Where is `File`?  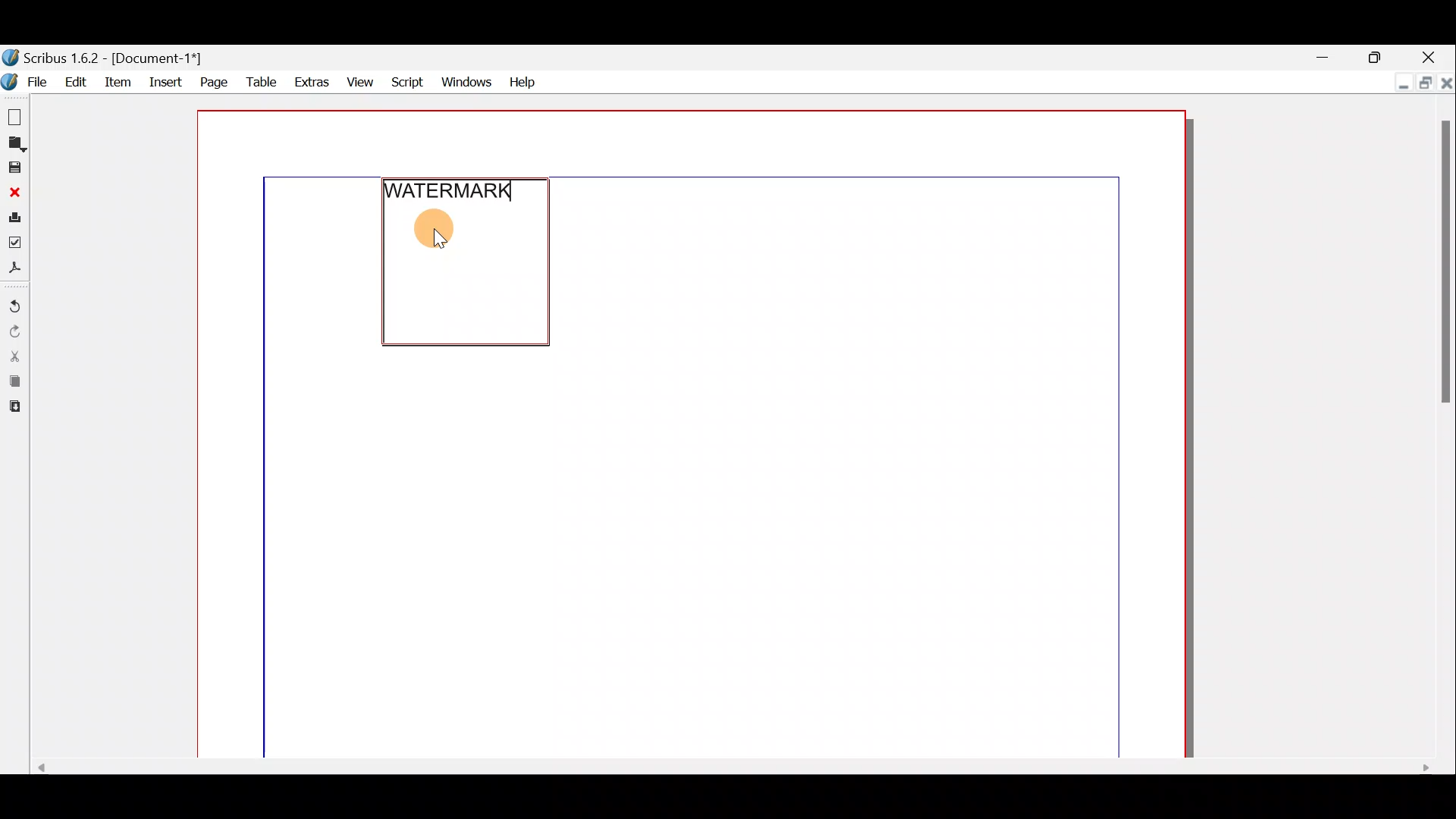 File is located at coordinates (28, 81).